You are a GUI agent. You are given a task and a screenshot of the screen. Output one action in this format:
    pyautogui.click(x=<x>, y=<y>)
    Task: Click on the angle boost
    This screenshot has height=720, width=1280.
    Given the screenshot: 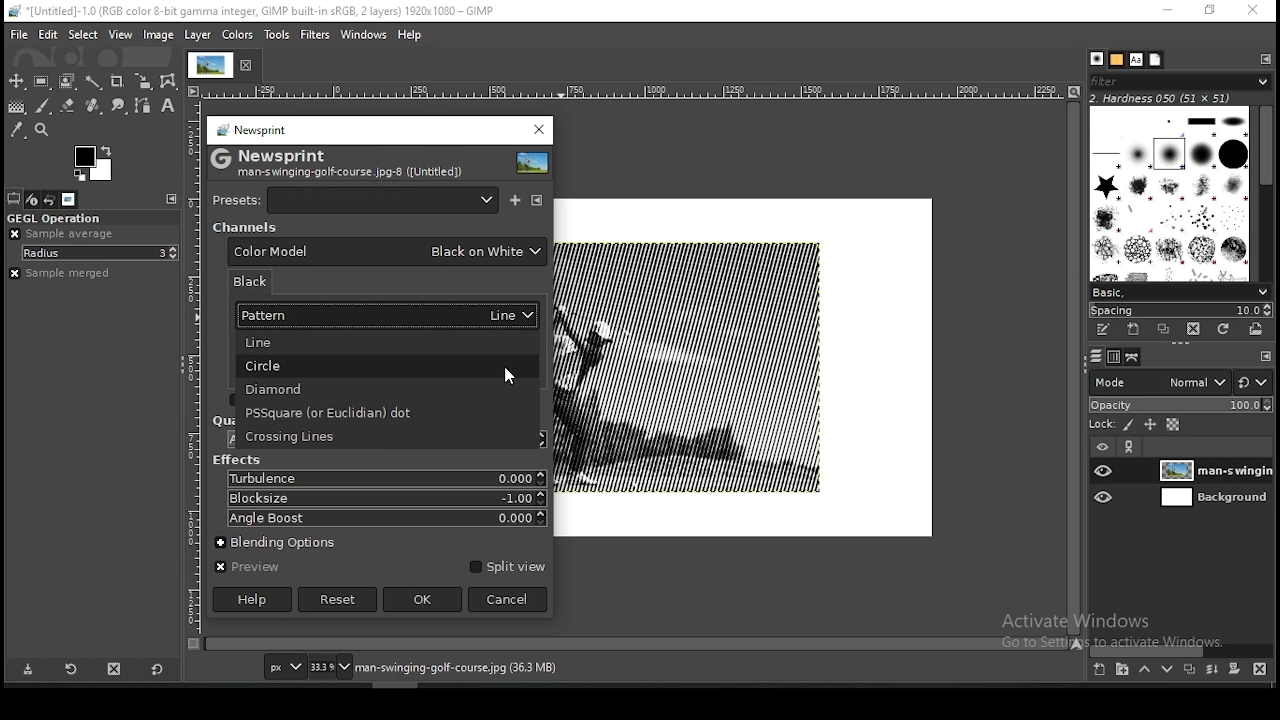 What is the action you would take?
    pyautogui.click(x=384, y=519)
    